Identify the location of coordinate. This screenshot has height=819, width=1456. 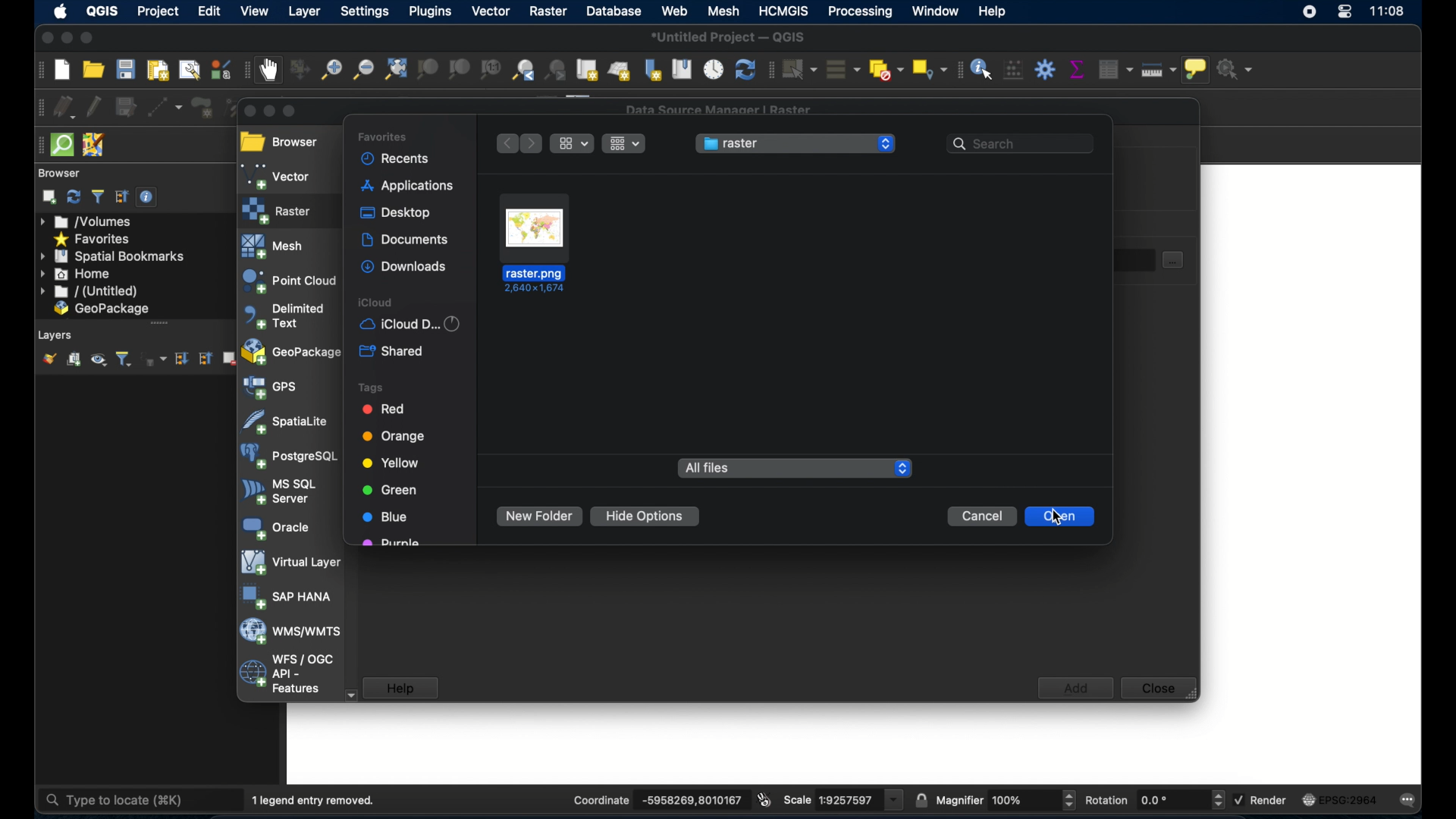
(689, 800).